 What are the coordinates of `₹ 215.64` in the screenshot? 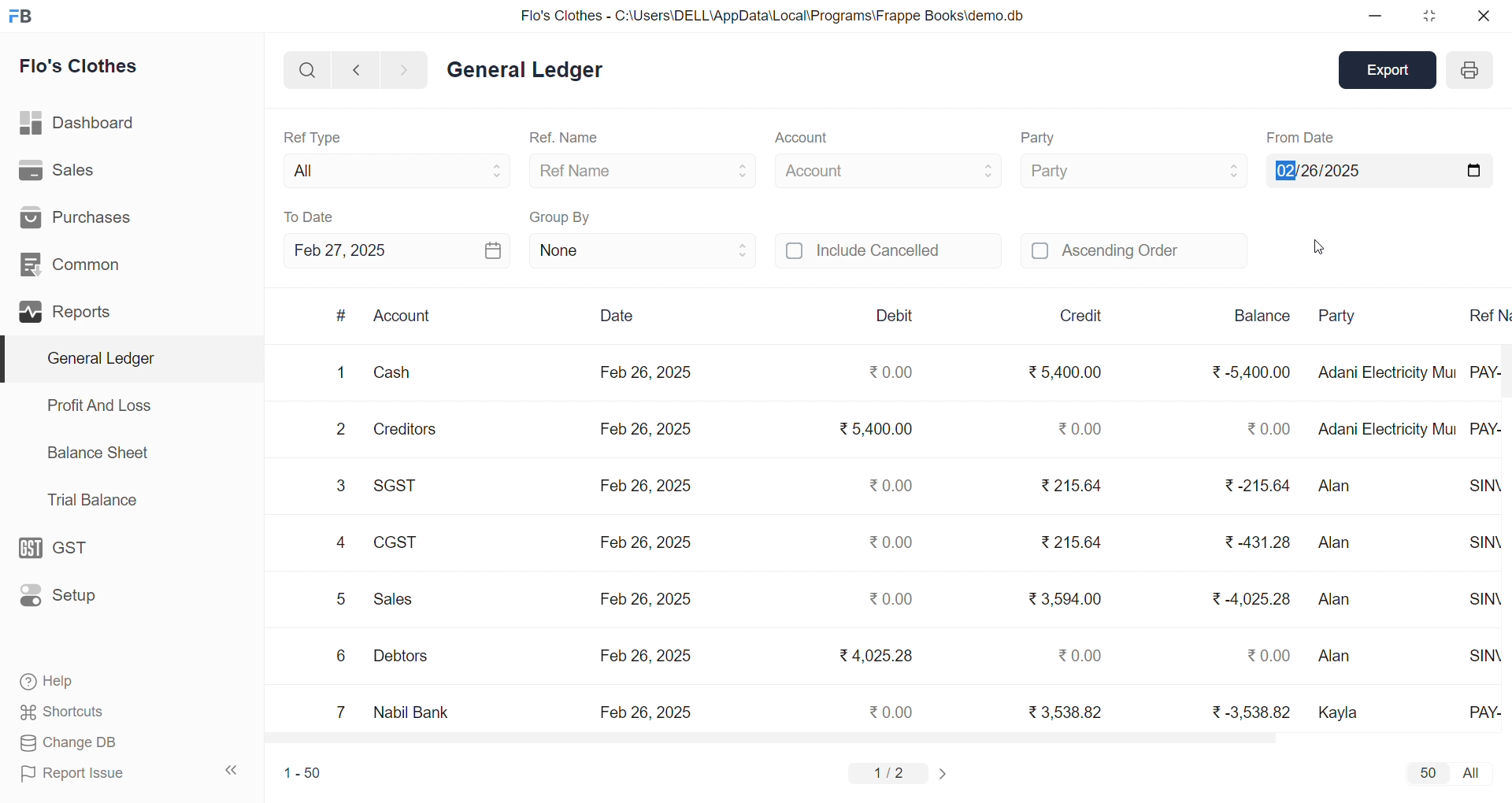 It's located at (1072, 544).